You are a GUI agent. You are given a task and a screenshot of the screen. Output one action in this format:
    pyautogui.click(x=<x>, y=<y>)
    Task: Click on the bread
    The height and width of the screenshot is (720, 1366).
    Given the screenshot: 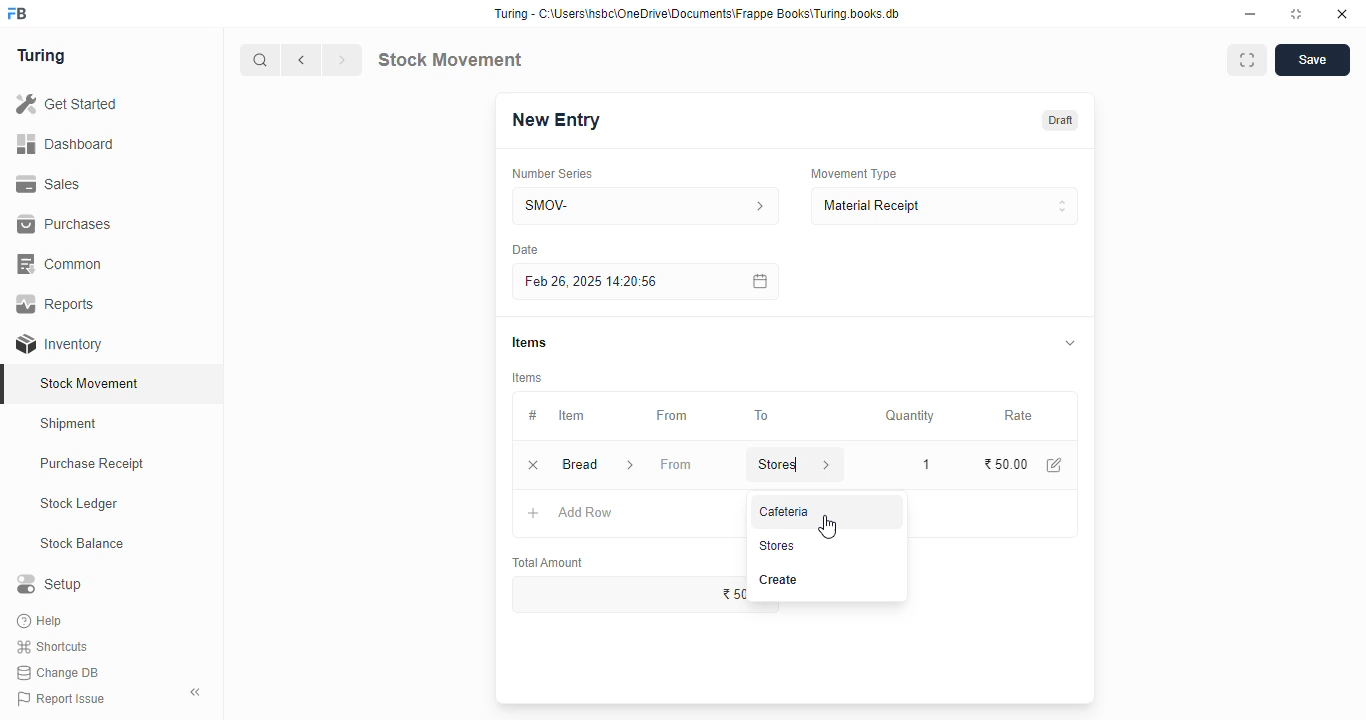 What is the action you would take?
    pyautogui.click(x=579, y=464)
    